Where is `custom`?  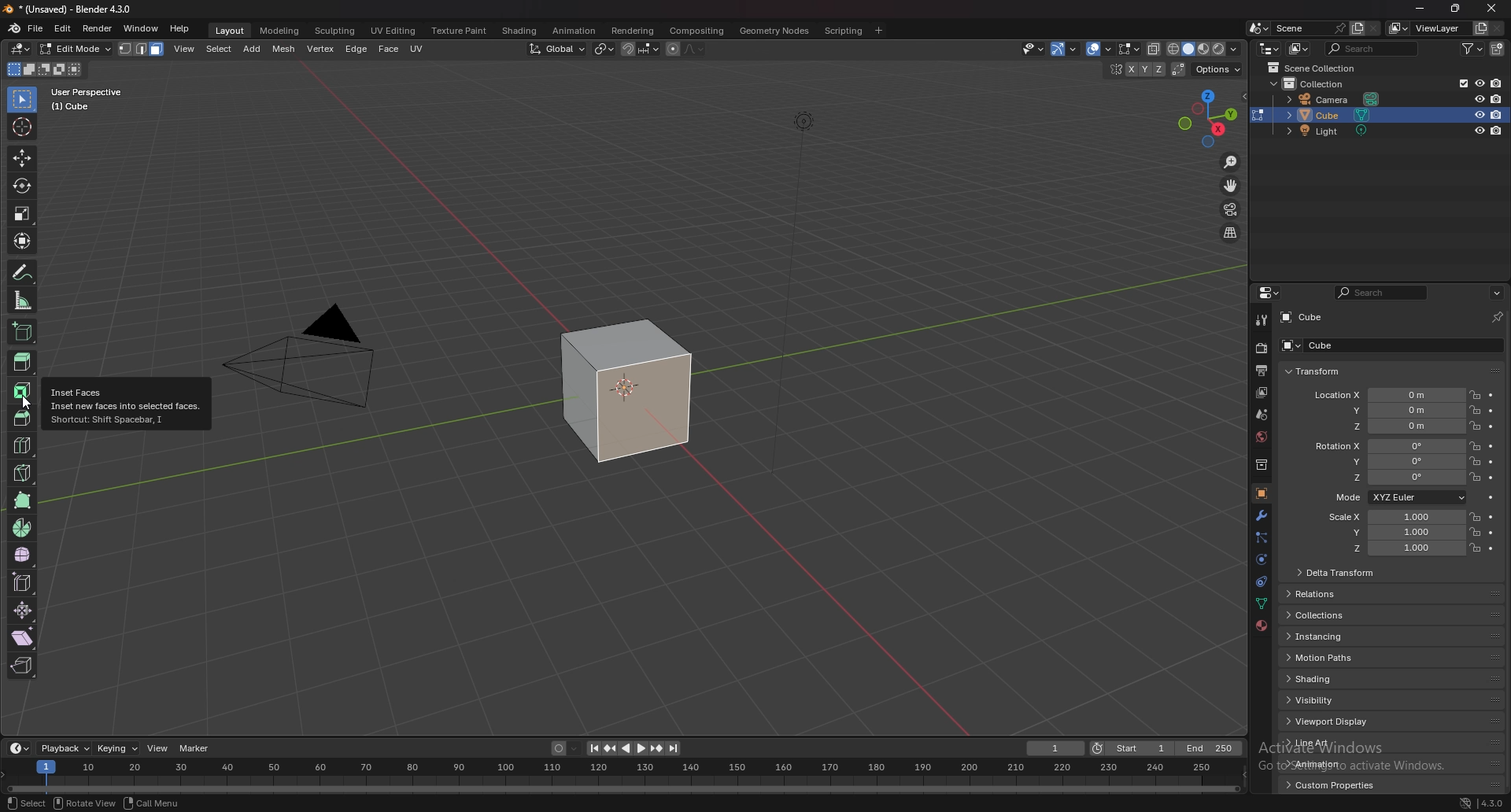 custom is located at coordinates (1326, 788).